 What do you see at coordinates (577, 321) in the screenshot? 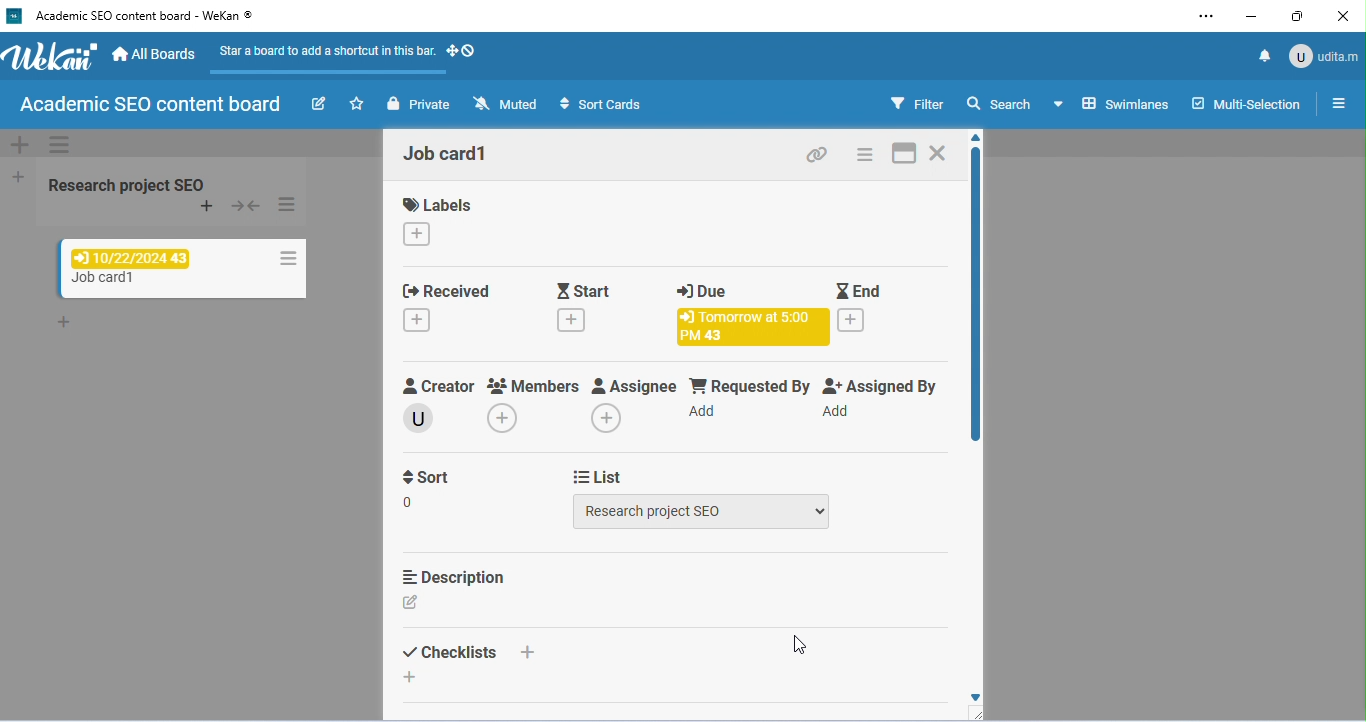
I see `add starting date` at bounding box center [577, 321].